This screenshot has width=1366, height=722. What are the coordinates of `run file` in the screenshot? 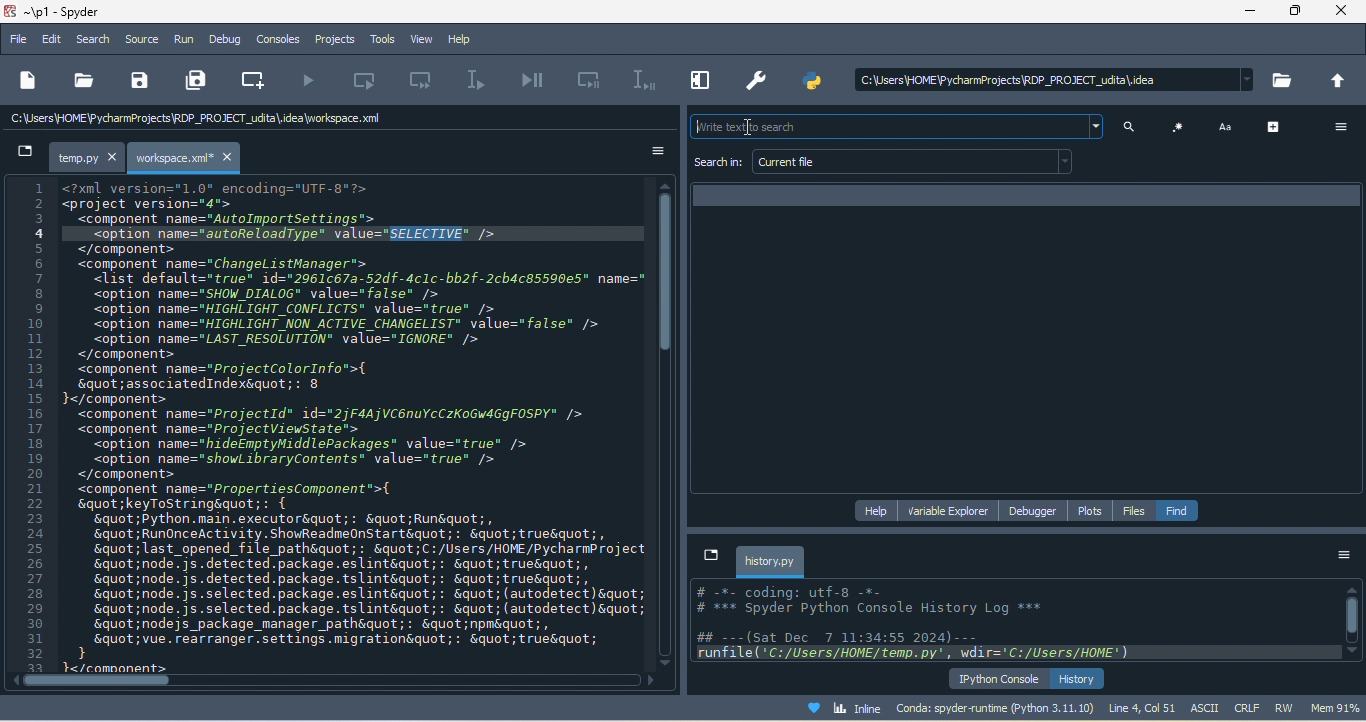 It's located at (312, 81).